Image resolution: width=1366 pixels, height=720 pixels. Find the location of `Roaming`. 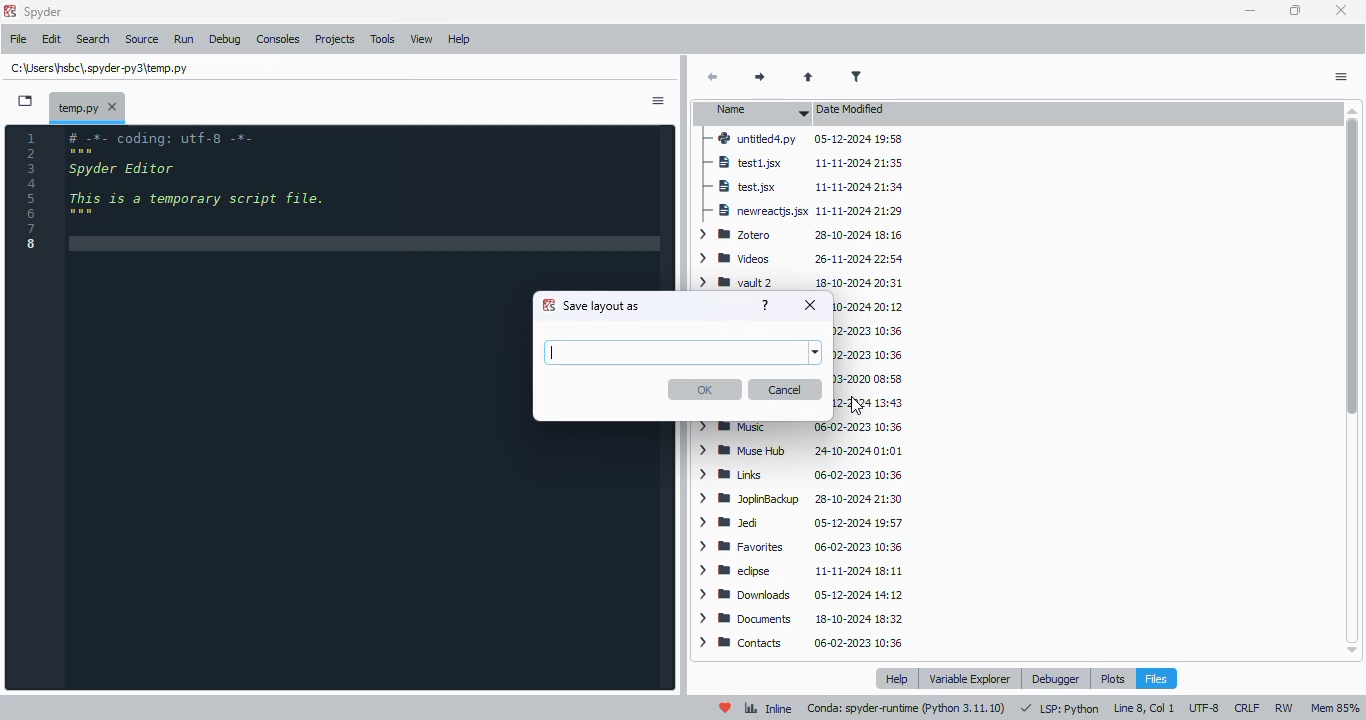

Roaming is located at coordinates (870, 380).